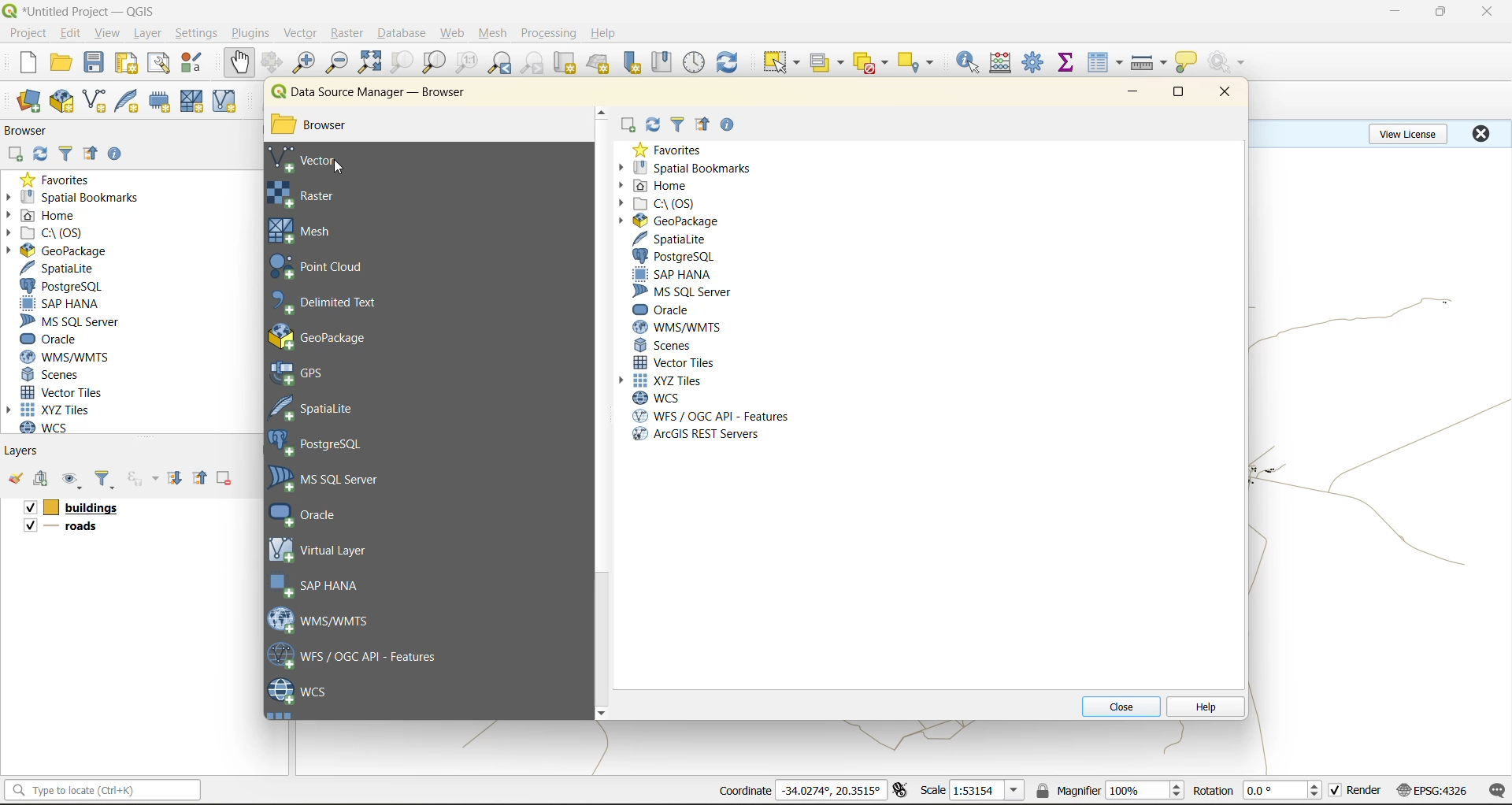  Describe the element at coordinates (57, 250) in the screenshot. I see `geopackage` at that location.